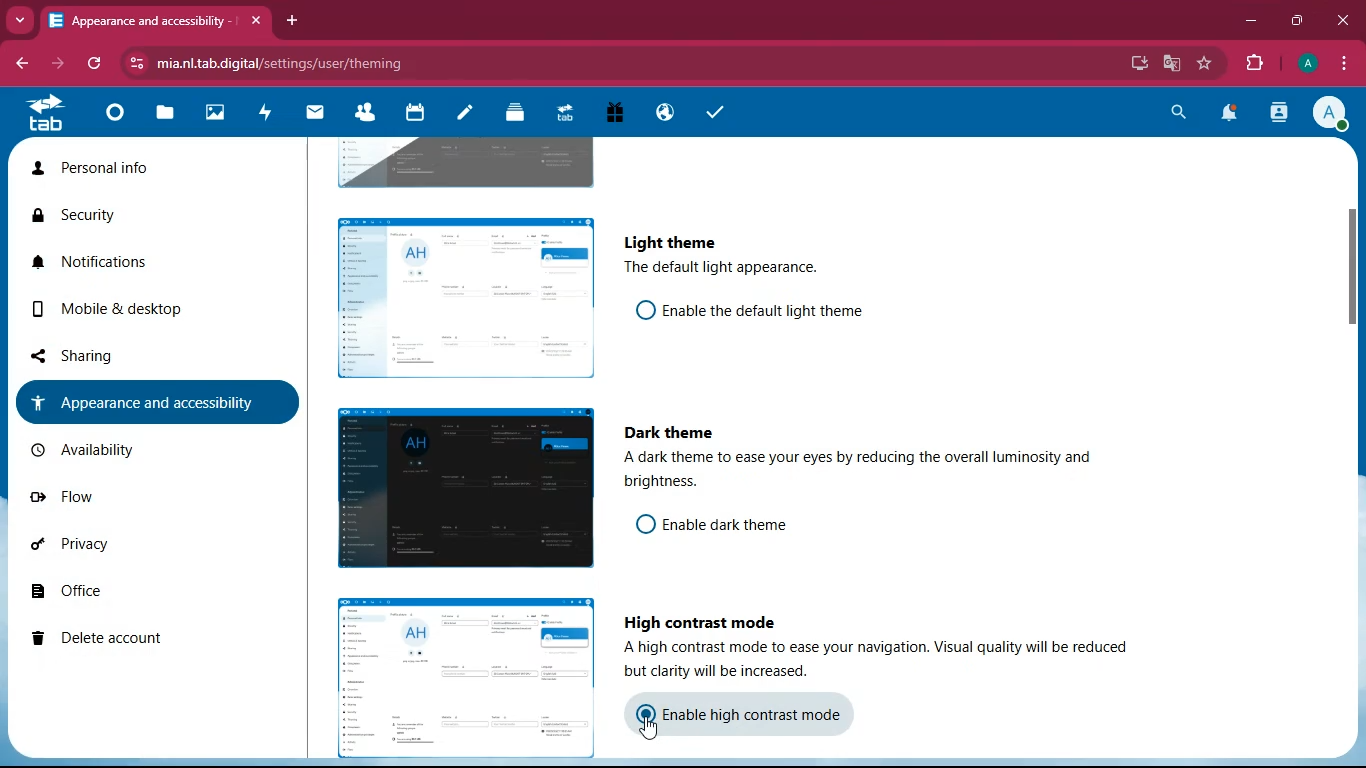  I want to click on extension, so click(1257, 64).